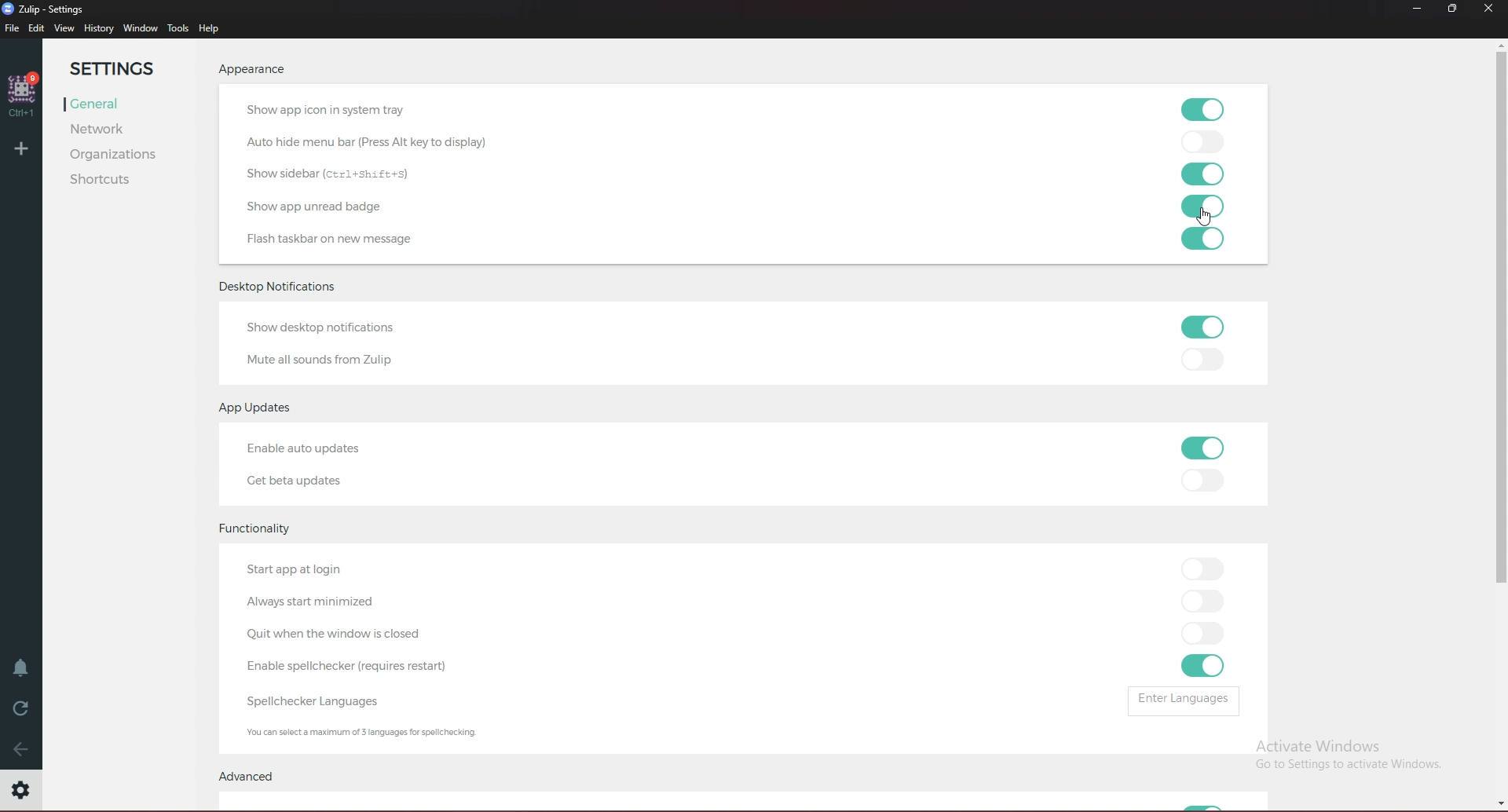 The image size is (1508, 812). I want to click on show app unread badge, so click(318, 208).